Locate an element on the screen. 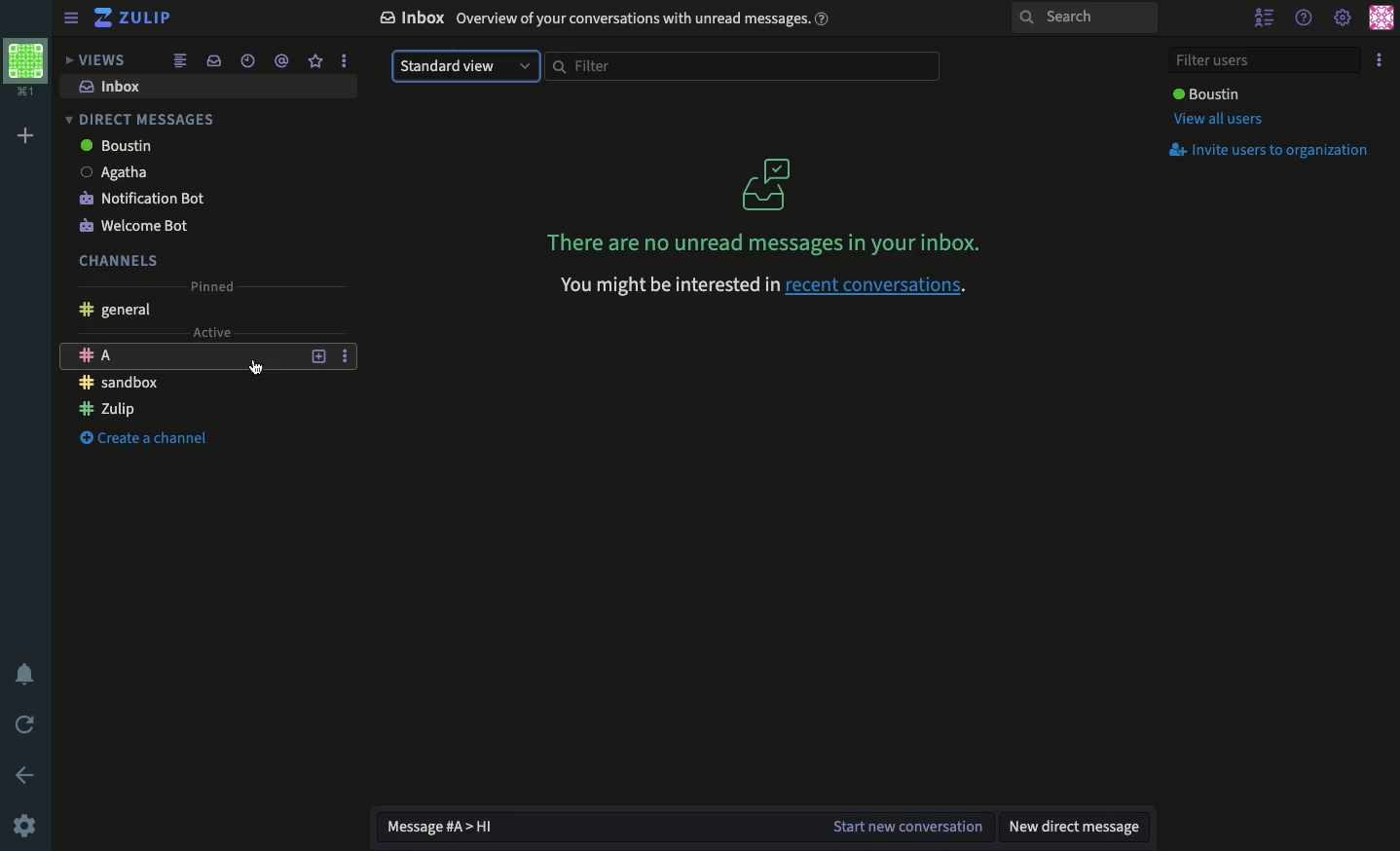  Profile is located at coordinates (24, 65).